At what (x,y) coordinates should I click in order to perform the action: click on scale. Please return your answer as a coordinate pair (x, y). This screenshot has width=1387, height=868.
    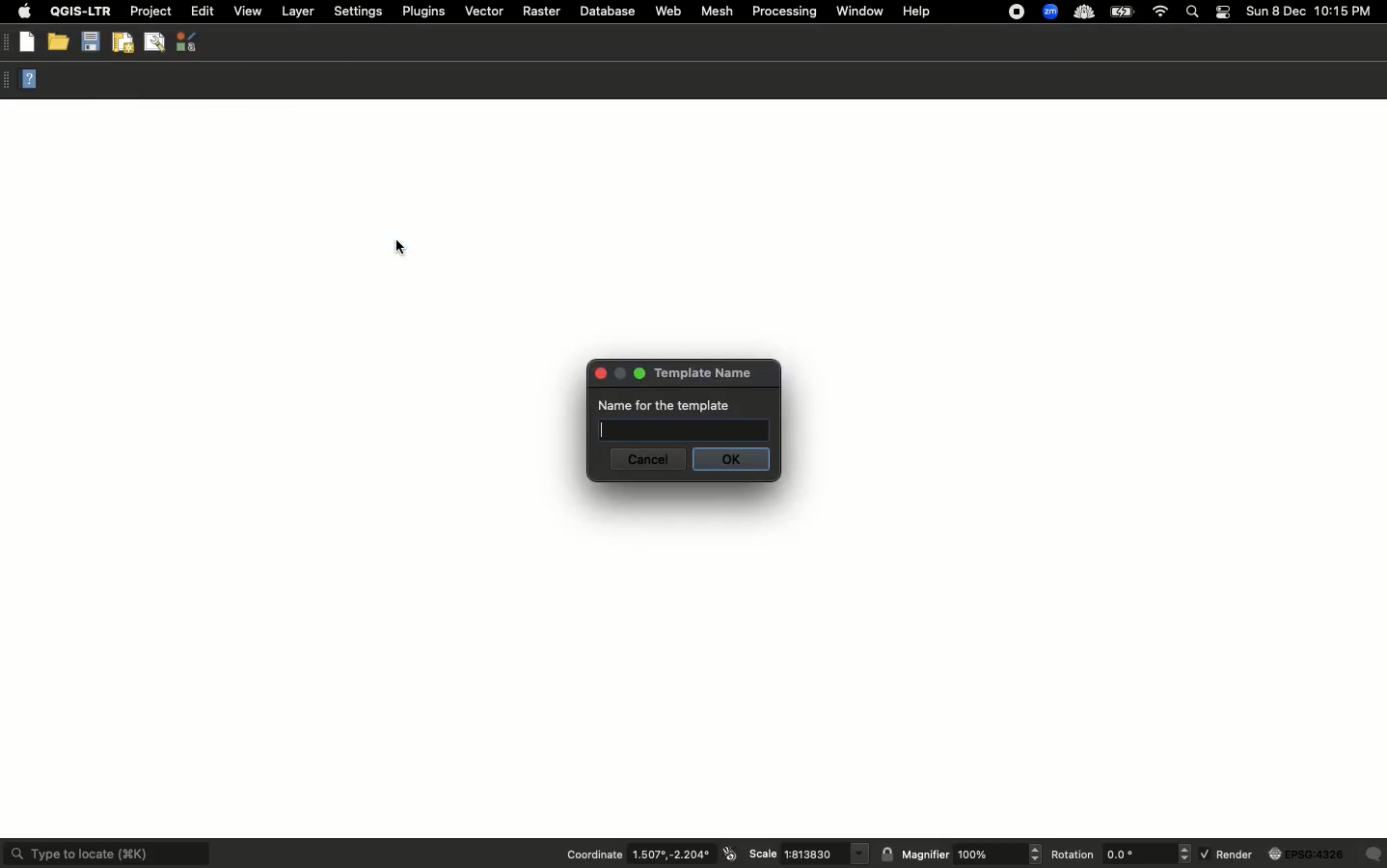
    Looking at the image, I should click on (825, 854).